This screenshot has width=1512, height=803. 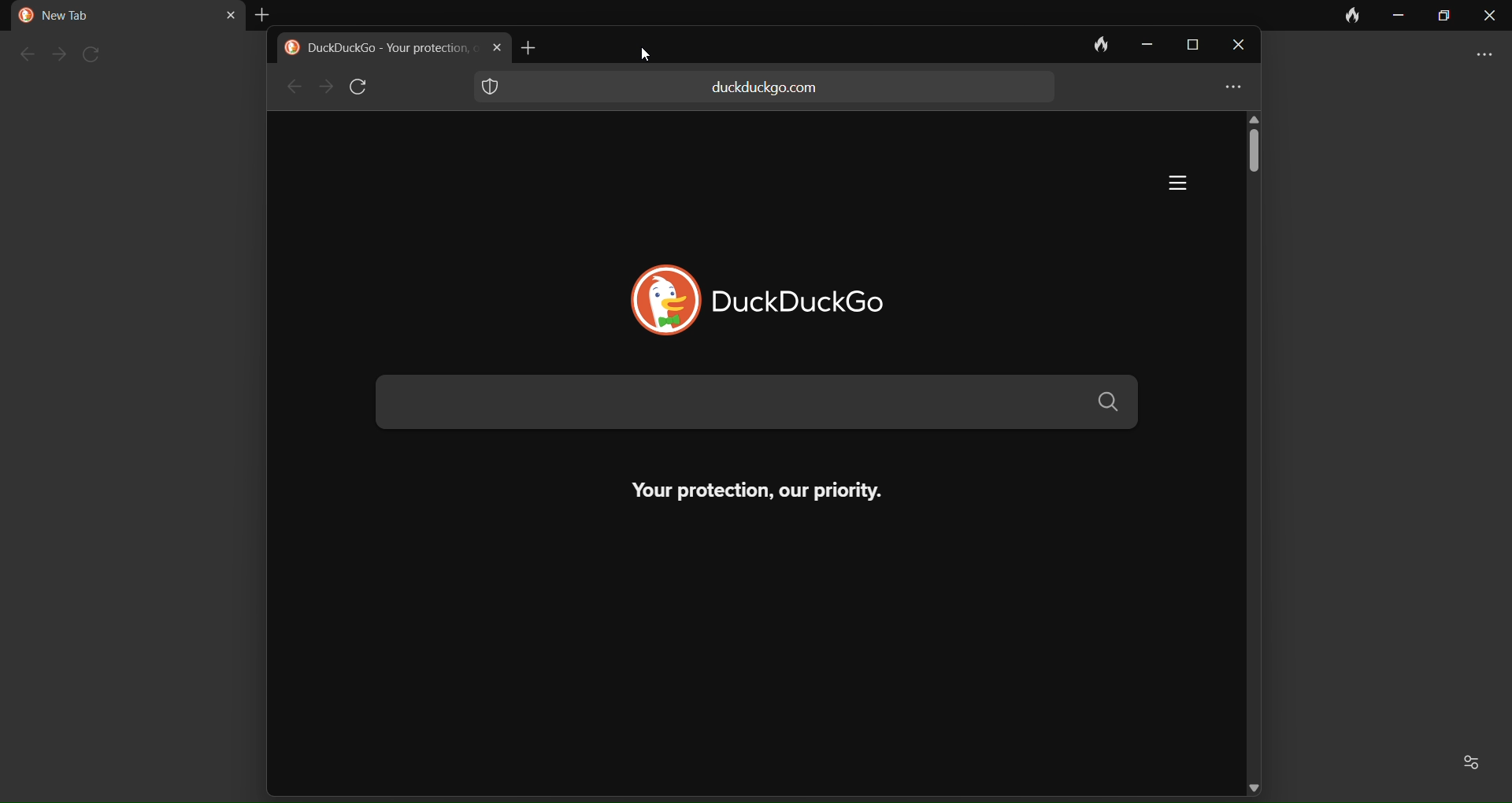 What do you see at coordinates (1091, 44) in the screenshot?
I see `clear data` at bounding box center [1091, 44].